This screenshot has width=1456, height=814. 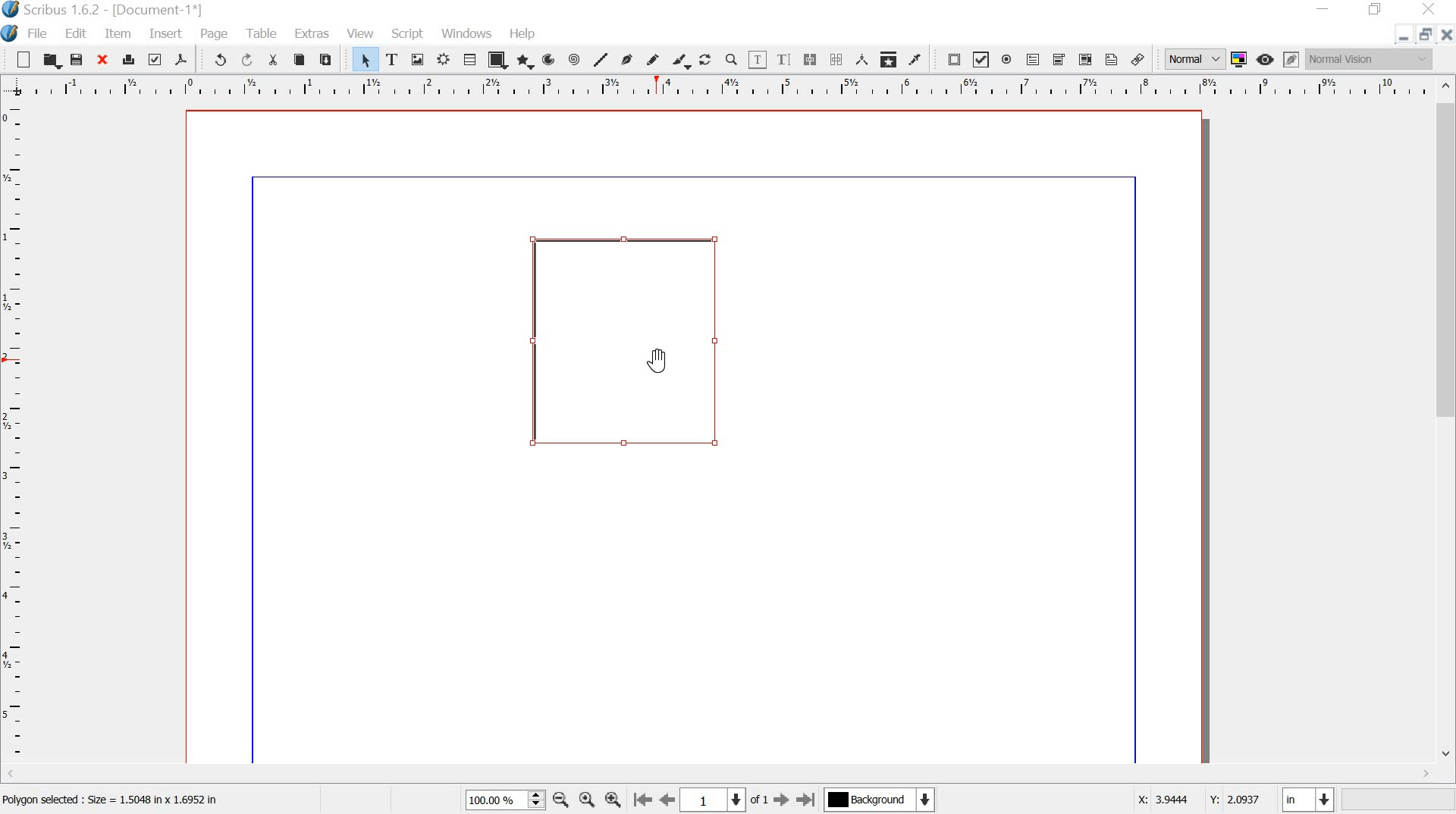 What do you see at coordinates (120, 34) in the screenshot?
I see `item` at bounding box center [120, 34].